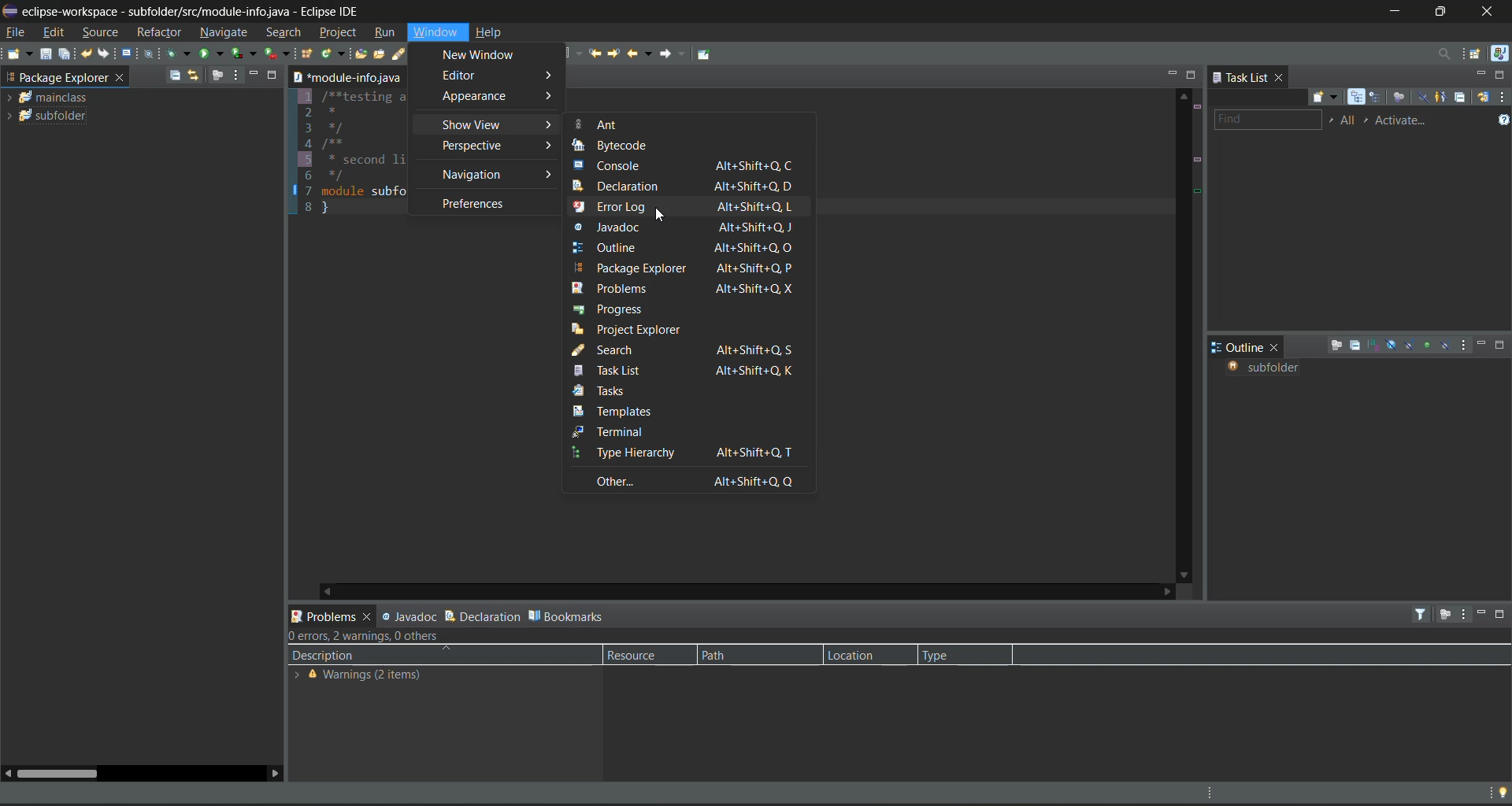  Describe the element at coordinates (409, 54) in the screenshot. I see `search` at that location.